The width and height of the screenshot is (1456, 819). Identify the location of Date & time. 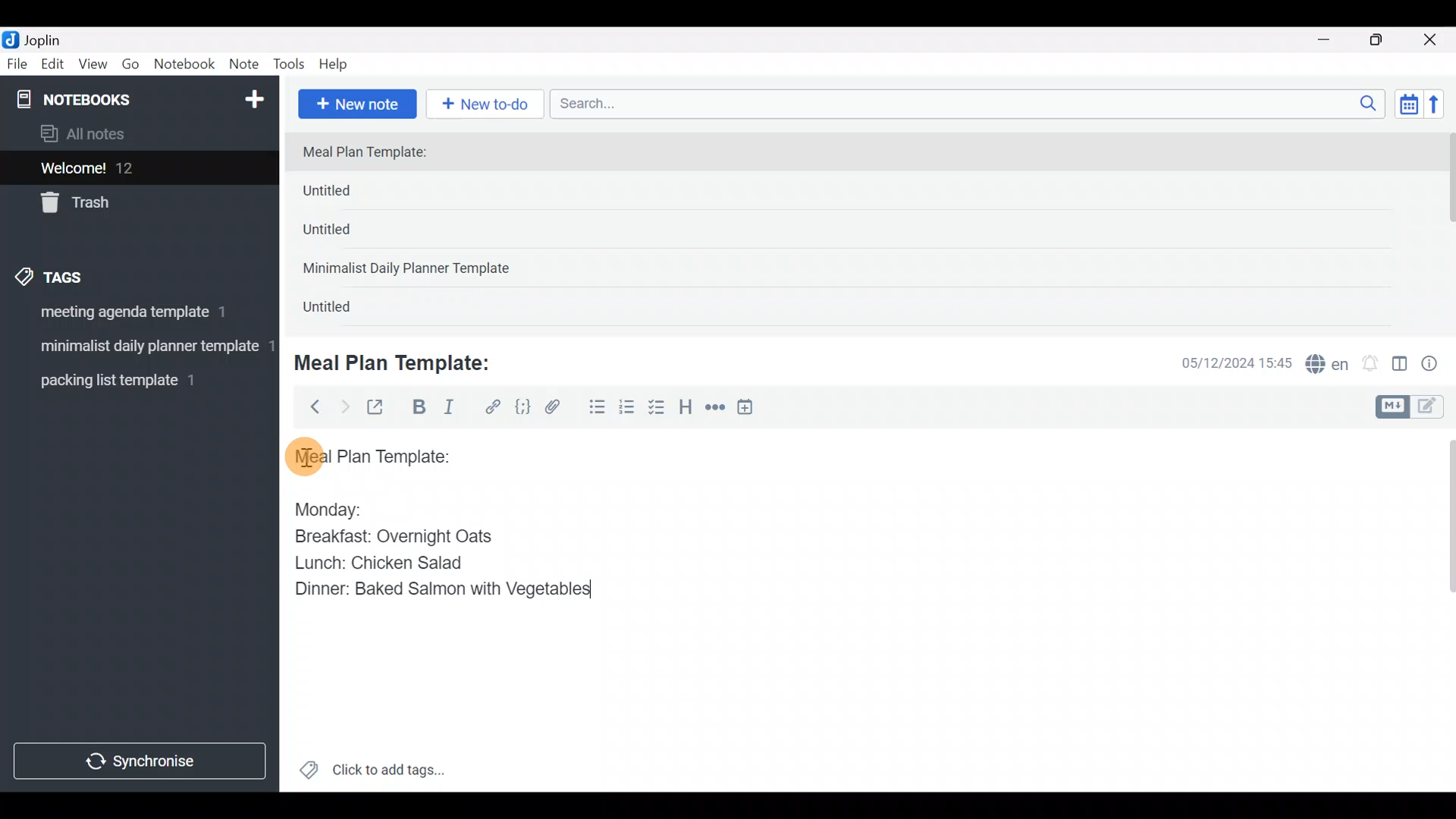
(1225, 362).